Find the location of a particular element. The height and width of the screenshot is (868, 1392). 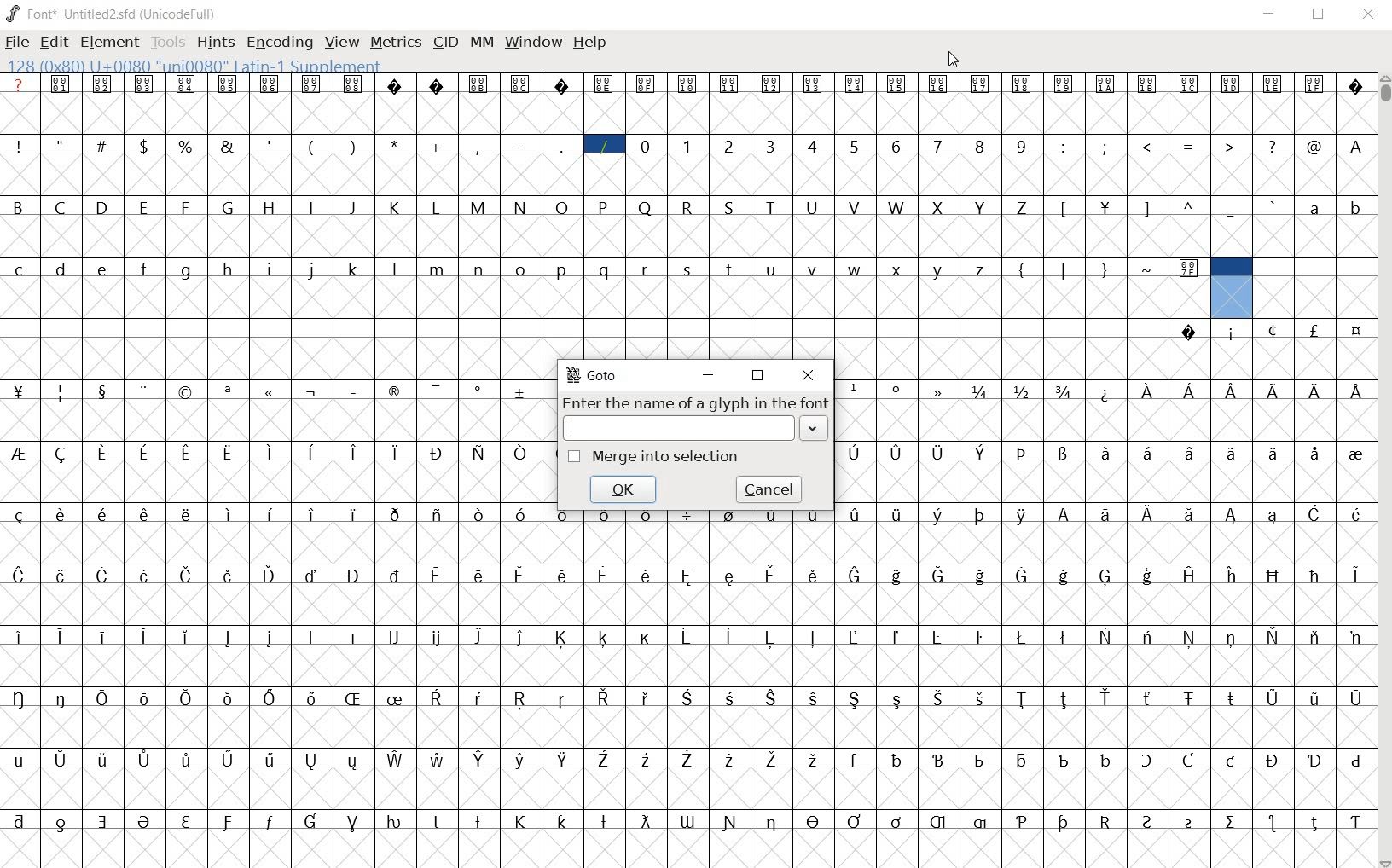

Symbol is located at coordinates (481, 697).